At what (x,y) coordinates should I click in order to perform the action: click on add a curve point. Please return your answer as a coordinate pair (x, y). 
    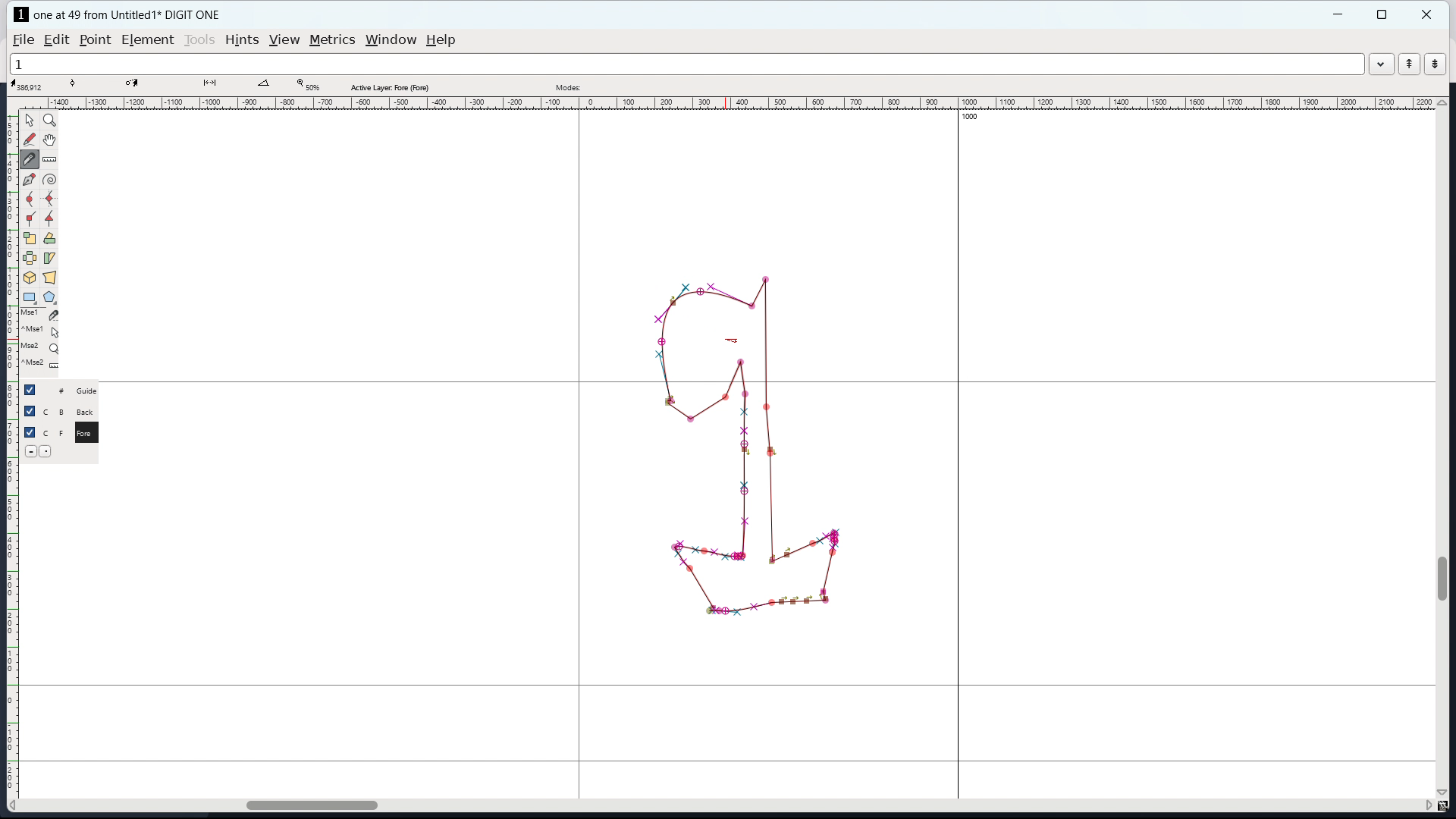
    Looking at the image, I should click on (30, 200).